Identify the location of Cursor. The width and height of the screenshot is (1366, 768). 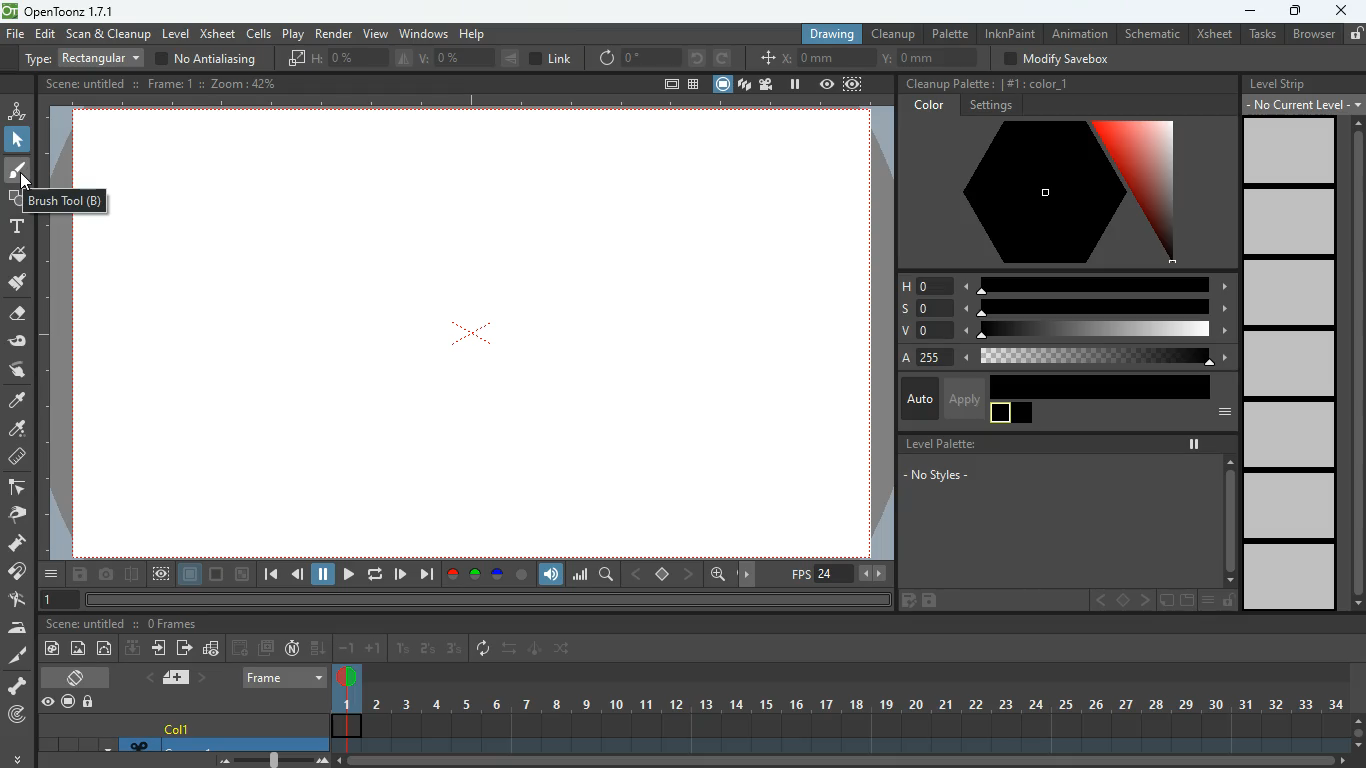
(28, 182).